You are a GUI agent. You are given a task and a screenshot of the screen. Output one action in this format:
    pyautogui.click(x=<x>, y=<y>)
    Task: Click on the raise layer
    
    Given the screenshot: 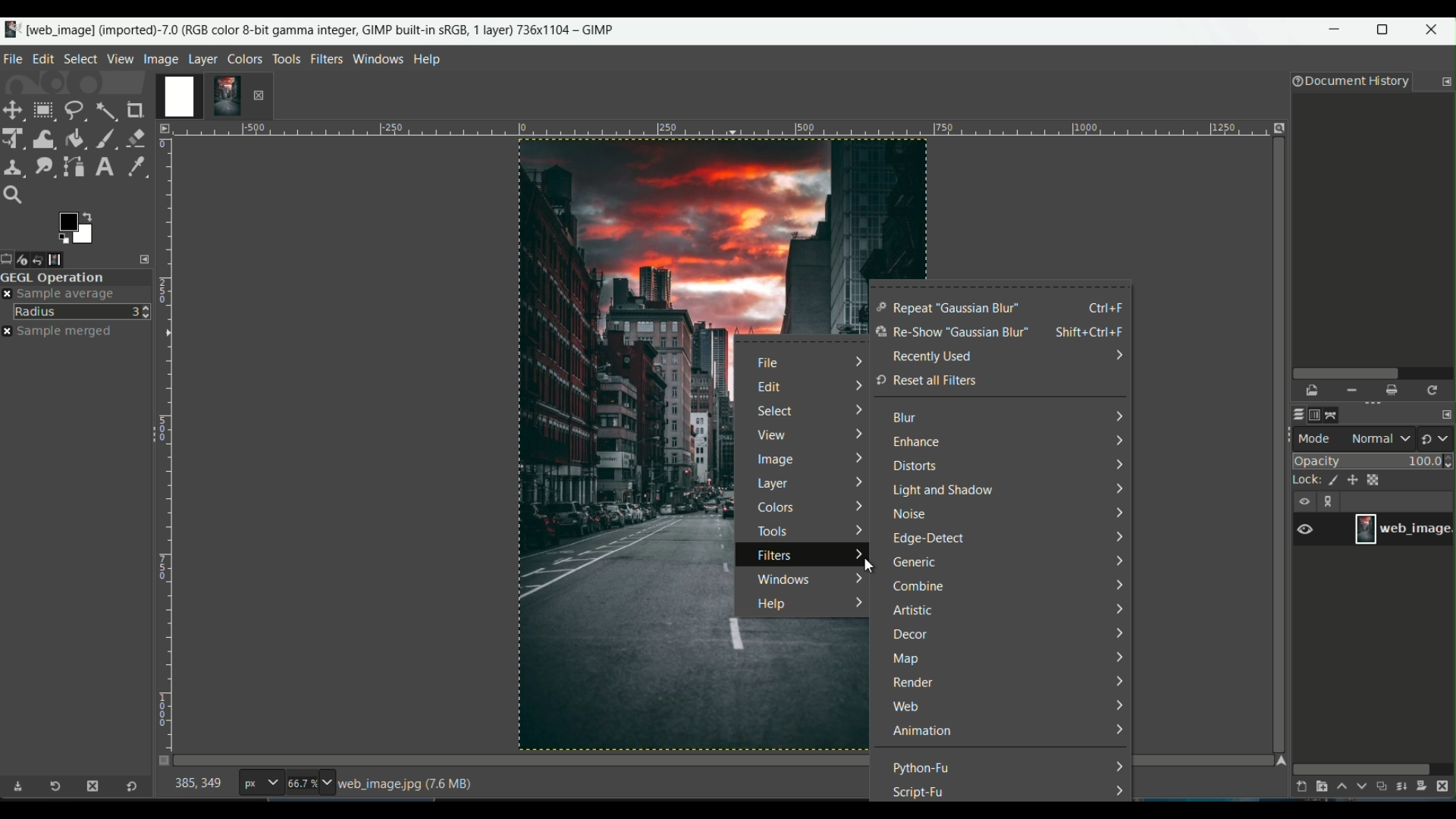 What is the action you would take?
    pyautogui.click(x=1340, y=789)
    